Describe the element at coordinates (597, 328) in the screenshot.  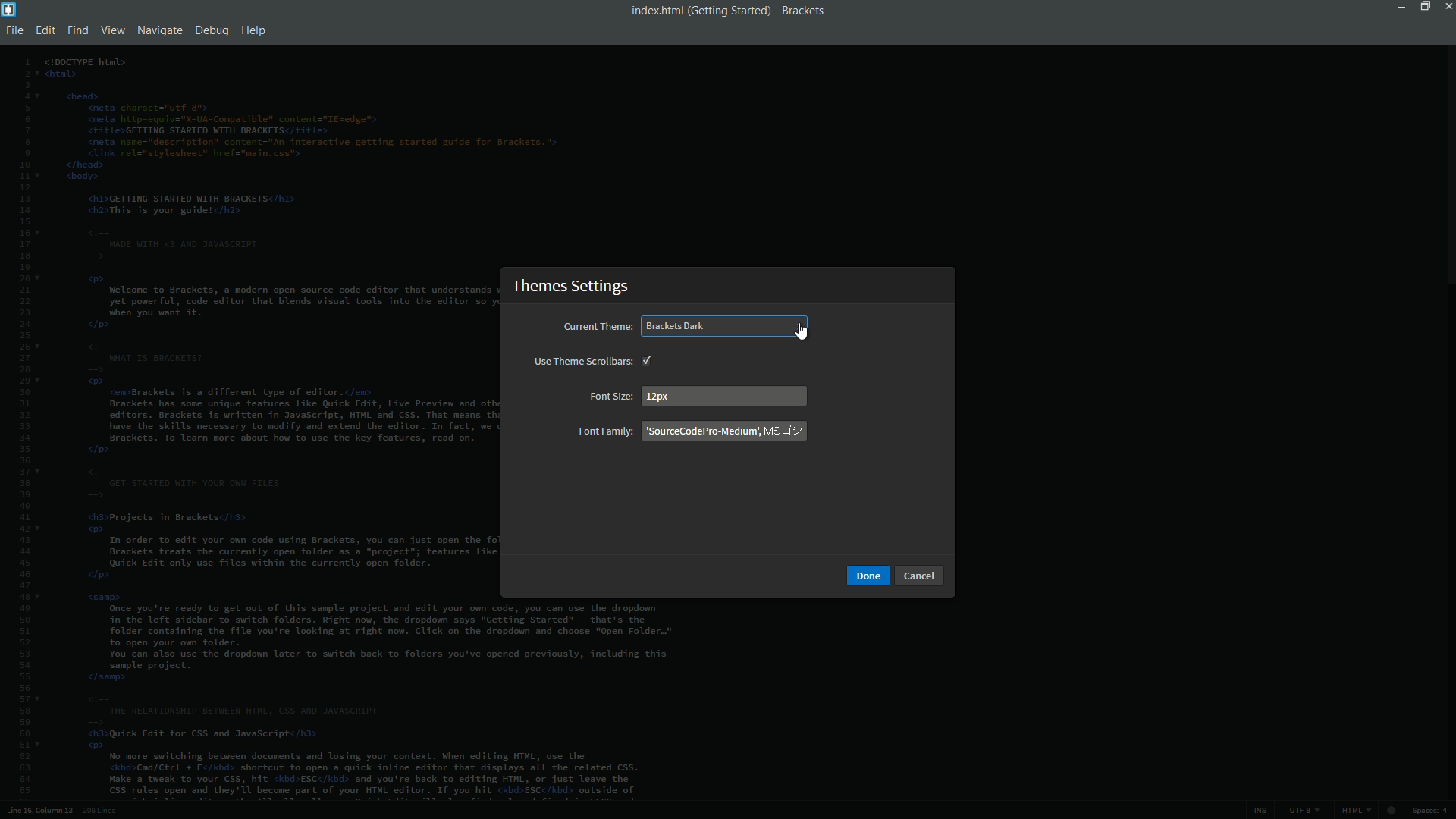
I see `current theme` at that location.